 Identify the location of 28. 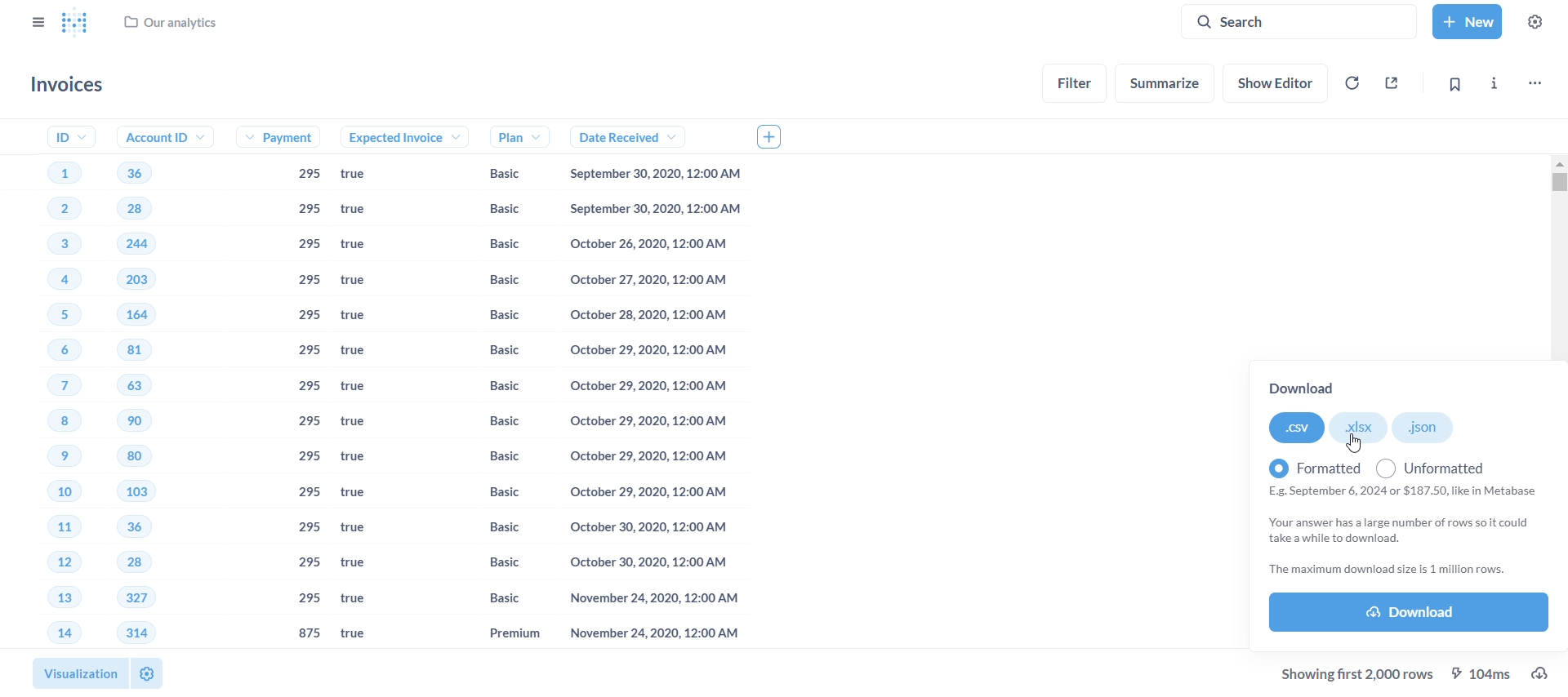
(134, 209).